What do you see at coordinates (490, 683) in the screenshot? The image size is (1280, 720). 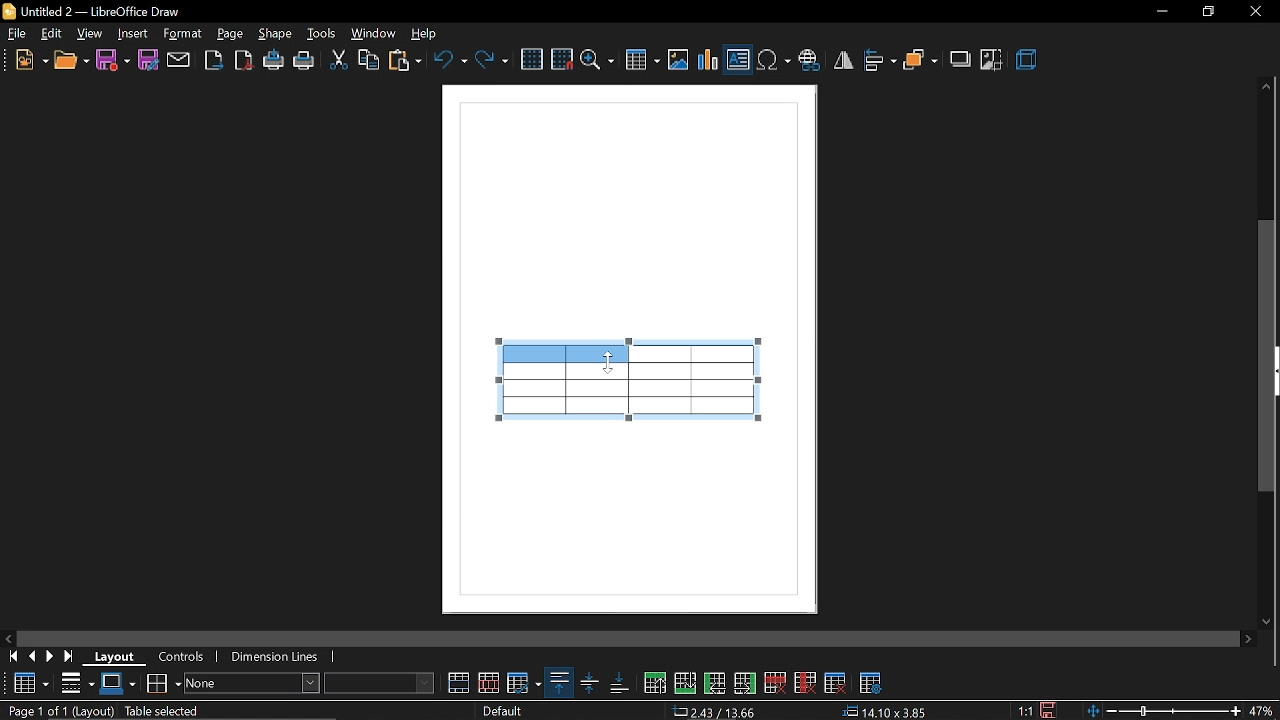 I see `split cells` at bounding box center [490, 683].